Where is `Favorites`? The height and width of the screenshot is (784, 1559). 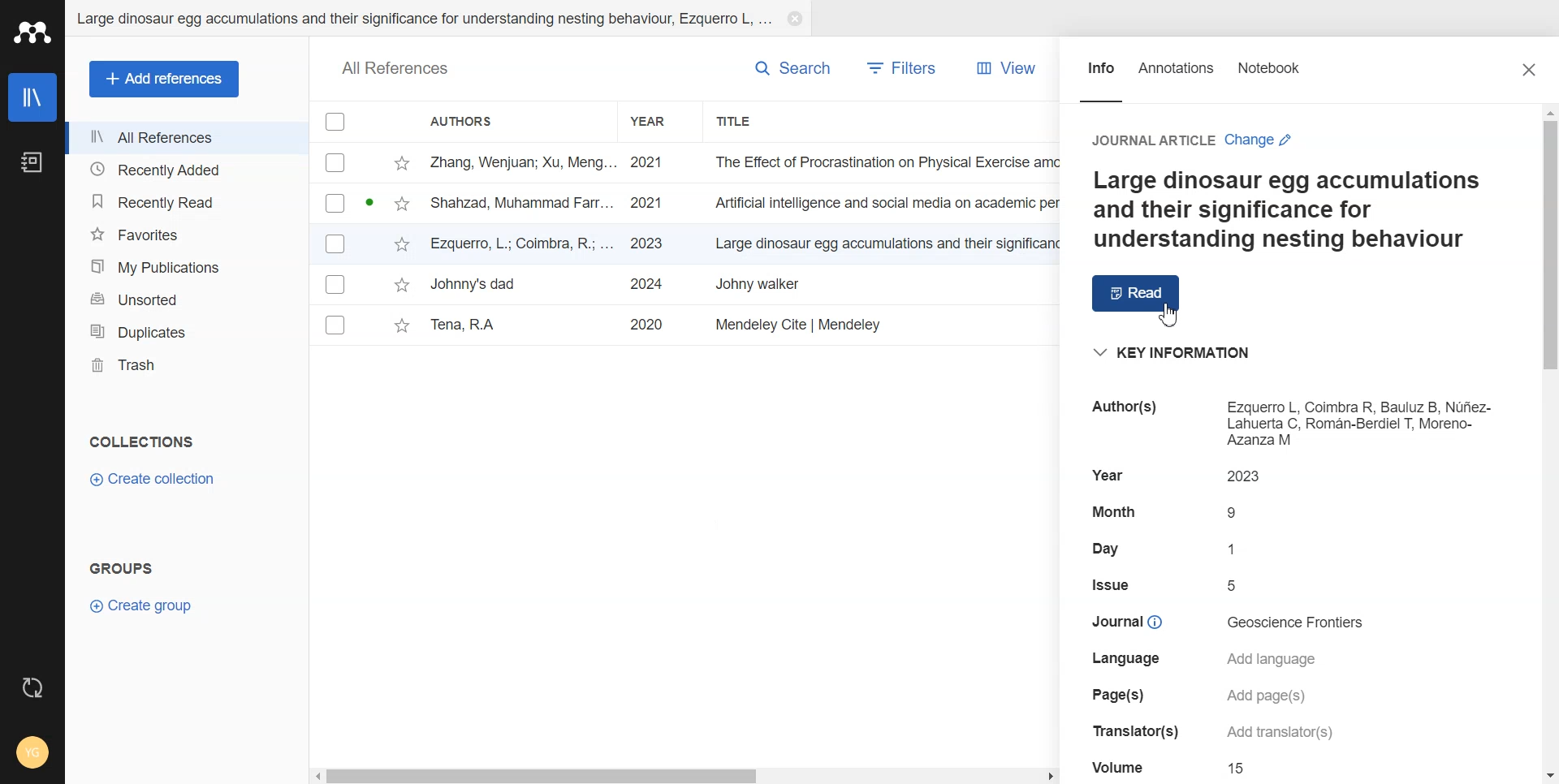 Favorites is located at coordinates (185, 233).